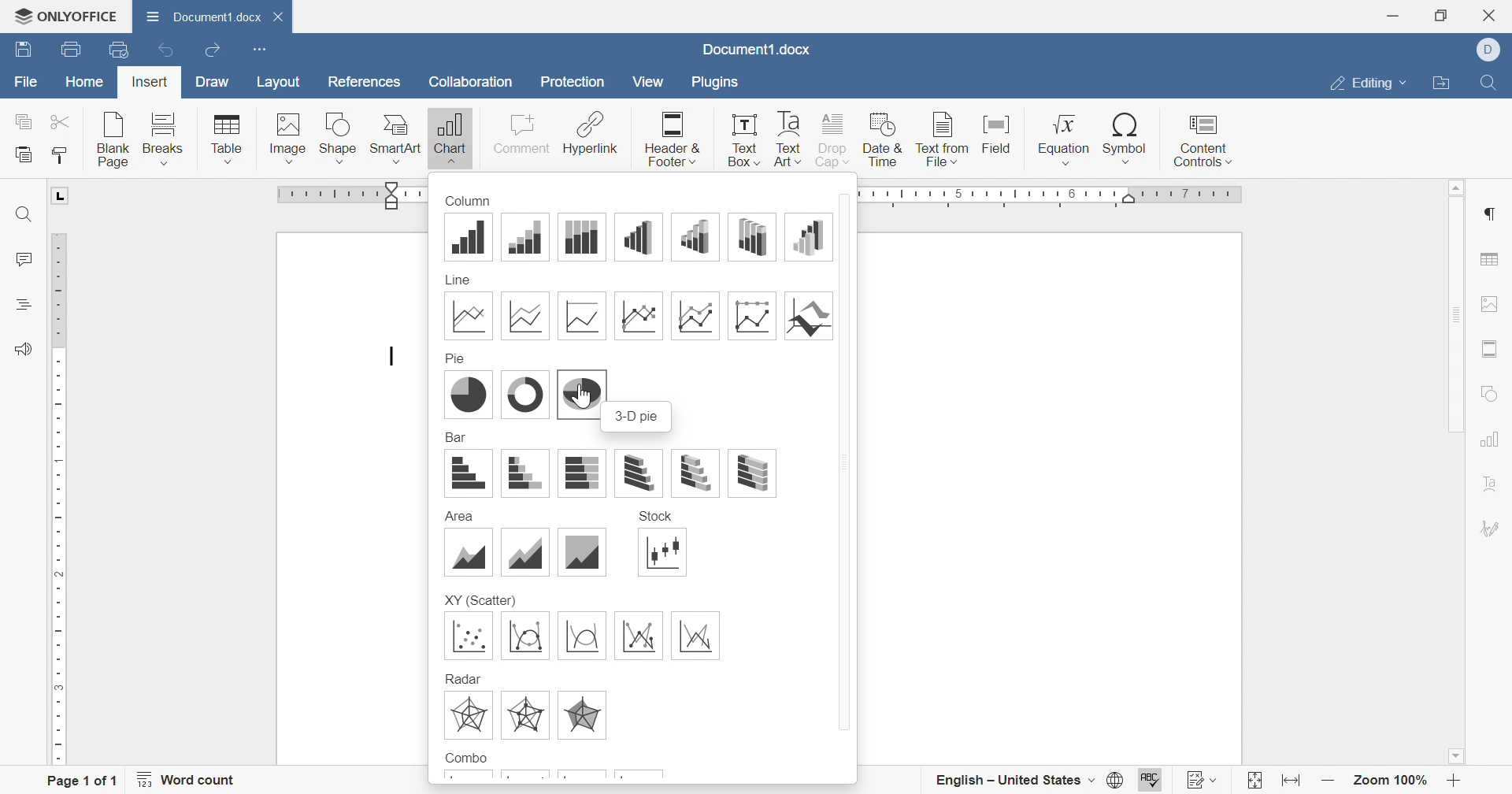 This screenshot has height=794, width=1512. I want to click on Print file, so click(69, 48).